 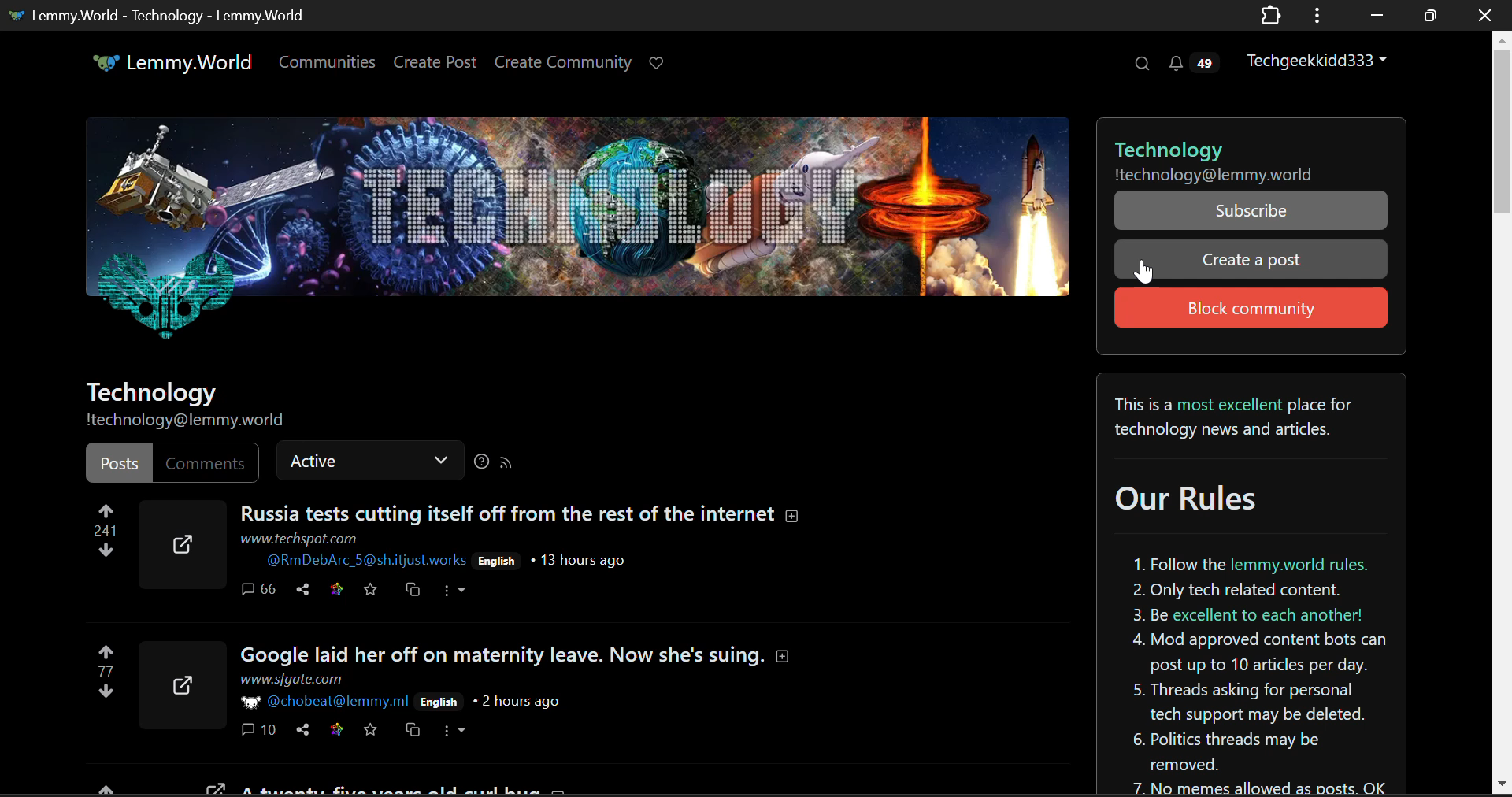 What do you see at coordinates (1145, 270) in the screenshot?
I see `Cursor Position` at bounding box center [1145, 270].